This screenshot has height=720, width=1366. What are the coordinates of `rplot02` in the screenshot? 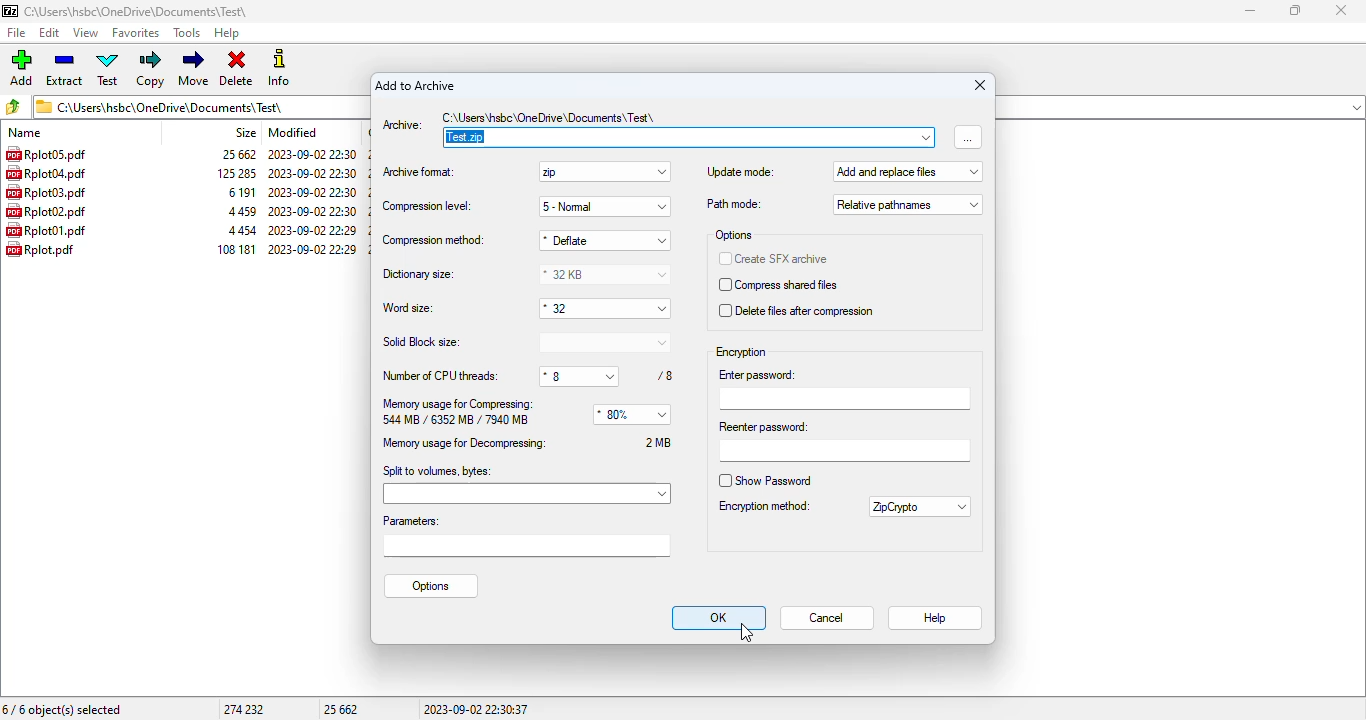 It's located at (46, 211).